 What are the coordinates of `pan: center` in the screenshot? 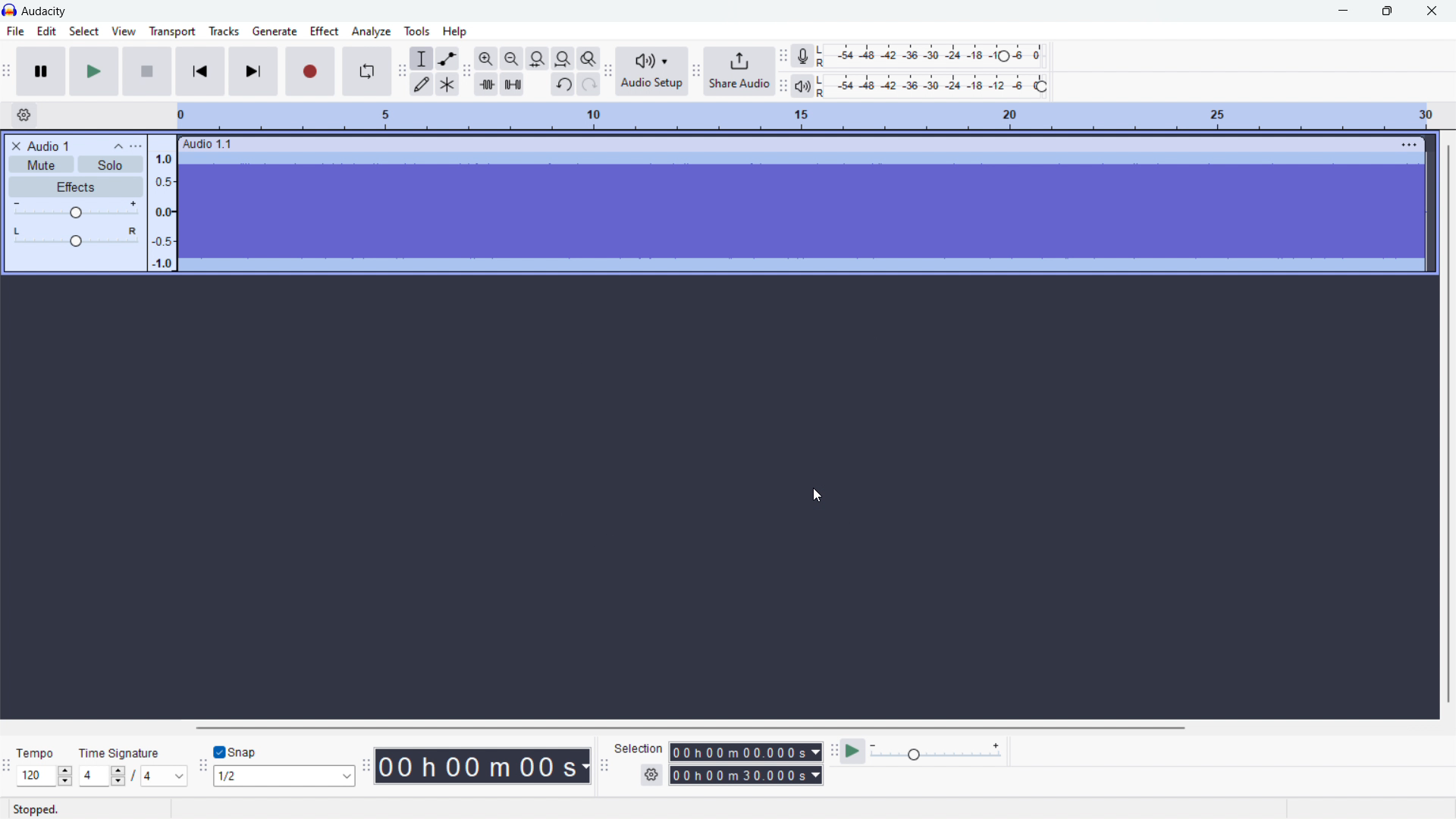 It's located at (76, 237).